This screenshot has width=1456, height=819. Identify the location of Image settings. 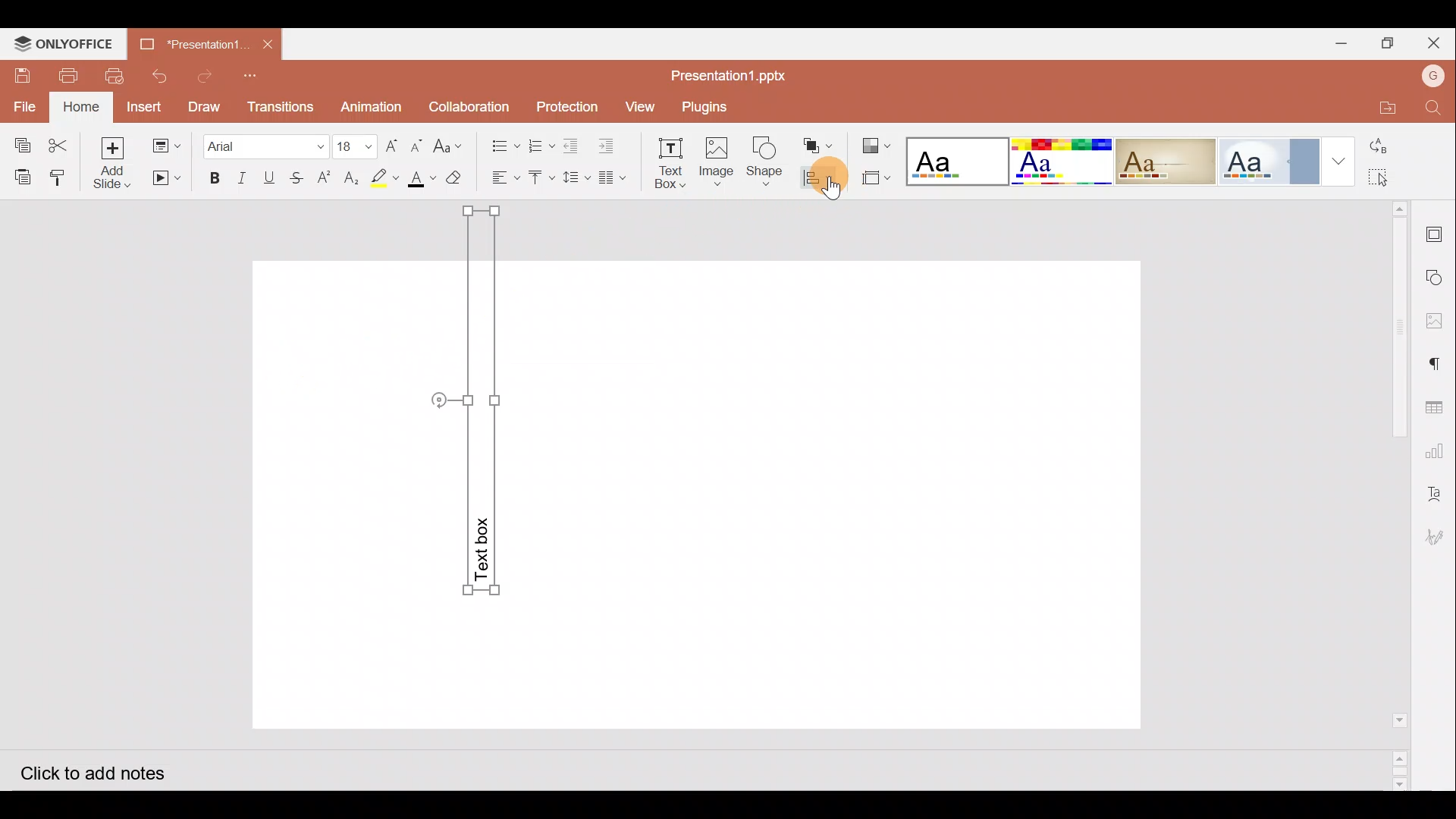
(1439, 321).